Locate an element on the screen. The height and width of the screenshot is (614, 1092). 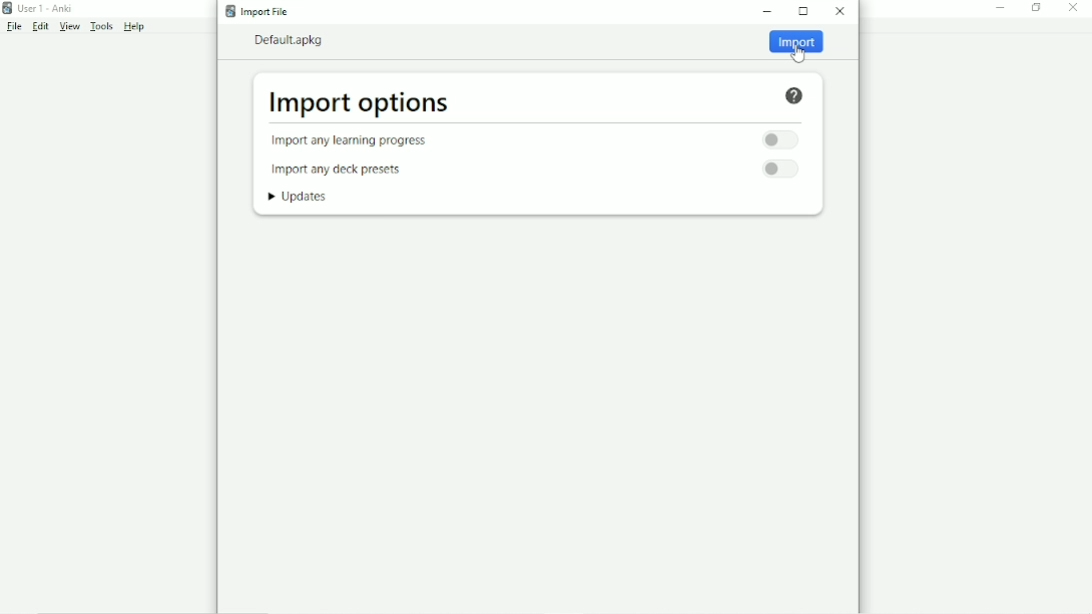
Close is located at coordinates (1074, 8).